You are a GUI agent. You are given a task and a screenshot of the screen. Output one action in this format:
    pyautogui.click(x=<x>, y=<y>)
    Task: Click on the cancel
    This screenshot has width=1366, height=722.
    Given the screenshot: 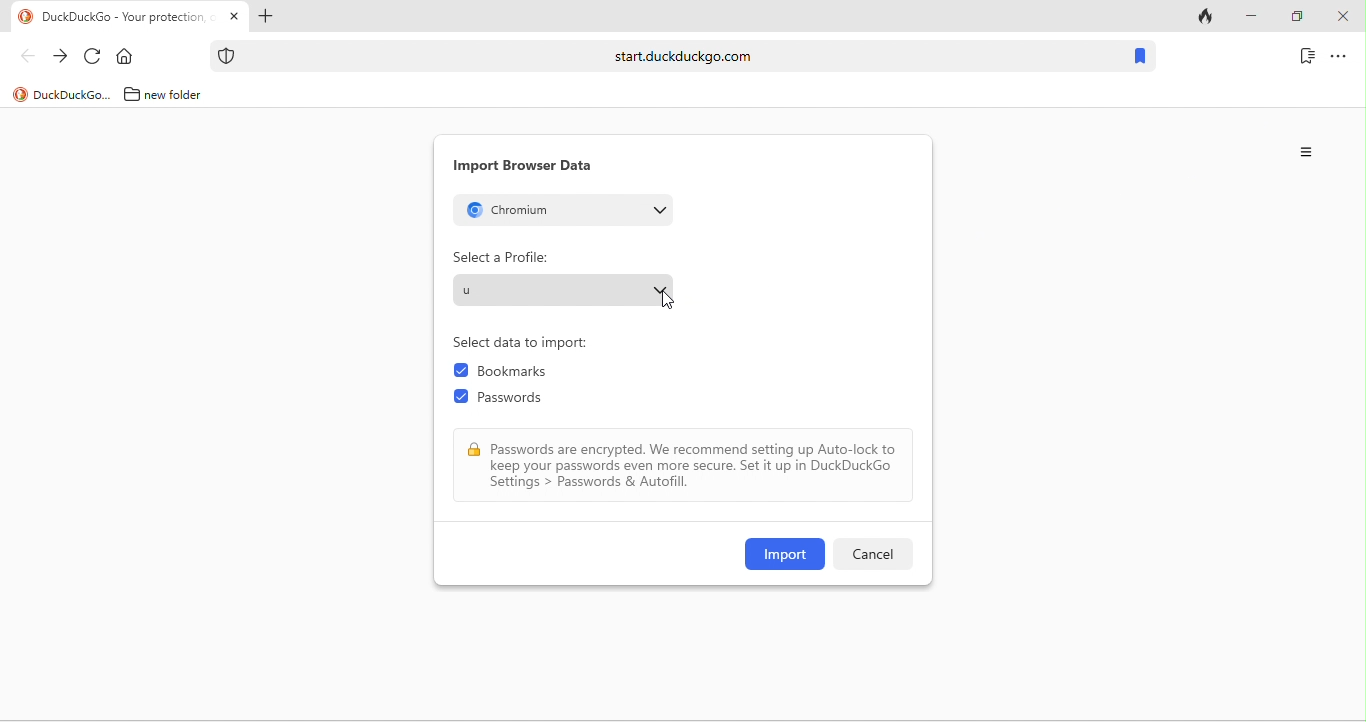 What is the action you would take?
    pyautogui.click(x=871, y=554)
    